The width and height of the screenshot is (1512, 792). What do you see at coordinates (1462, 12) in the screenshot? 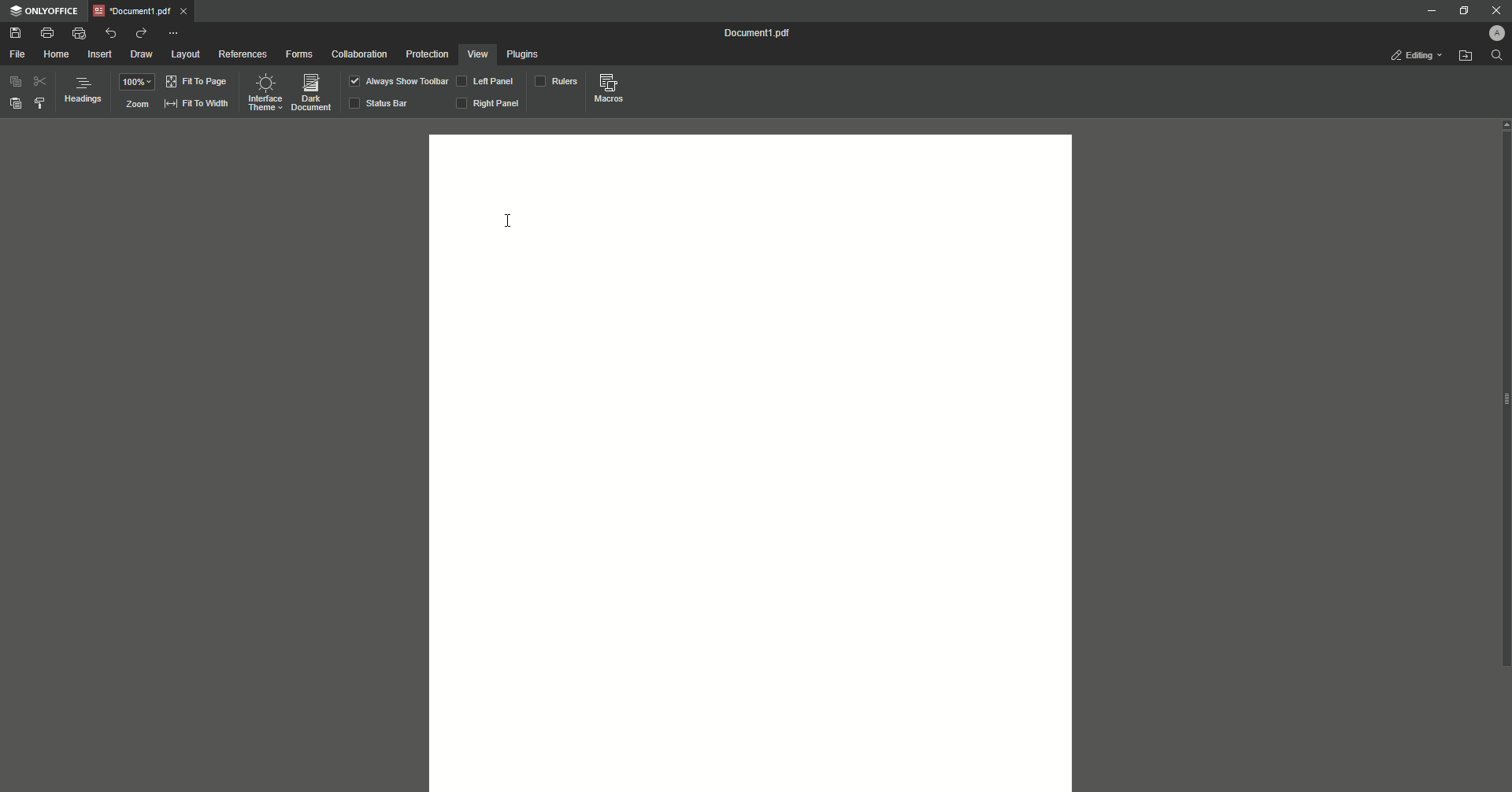
I see `Restore` at bounding box center [1462, 12].